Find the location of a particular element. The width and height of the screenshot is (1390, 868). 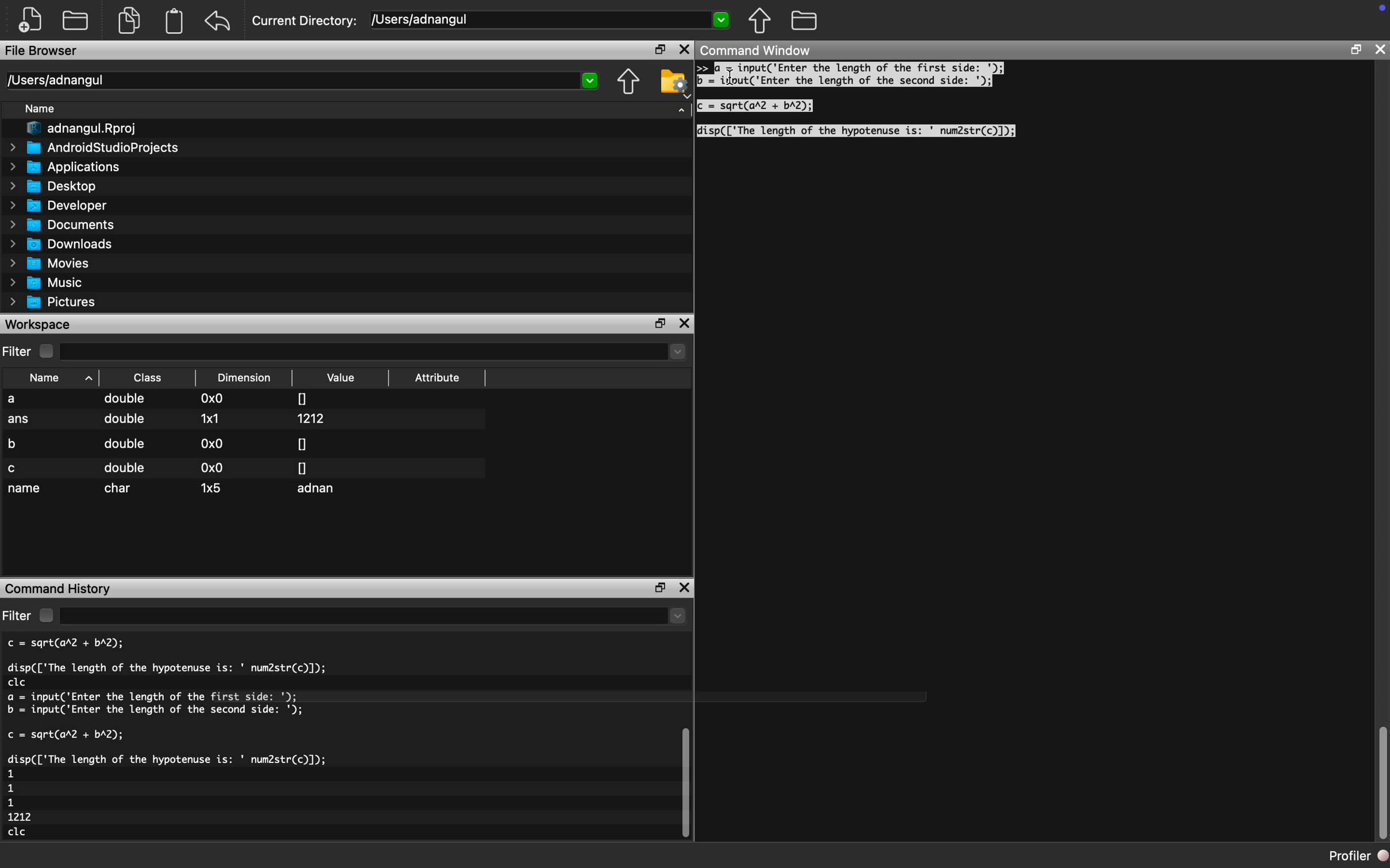

cursor movement is located at coordinates (733, 79).